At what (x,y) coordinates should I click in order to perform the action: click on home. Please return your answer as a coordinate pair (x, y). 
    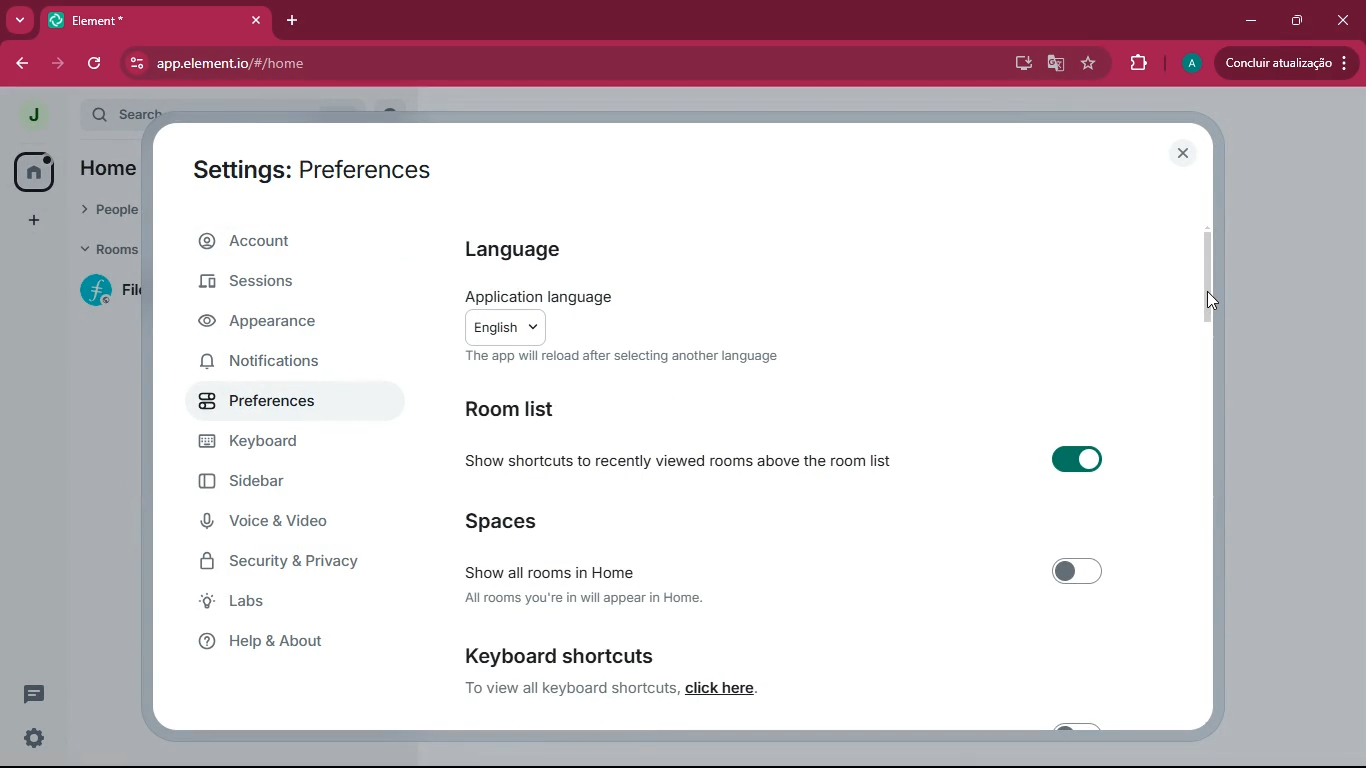
    Looking at the image, I should click on (32, 172).